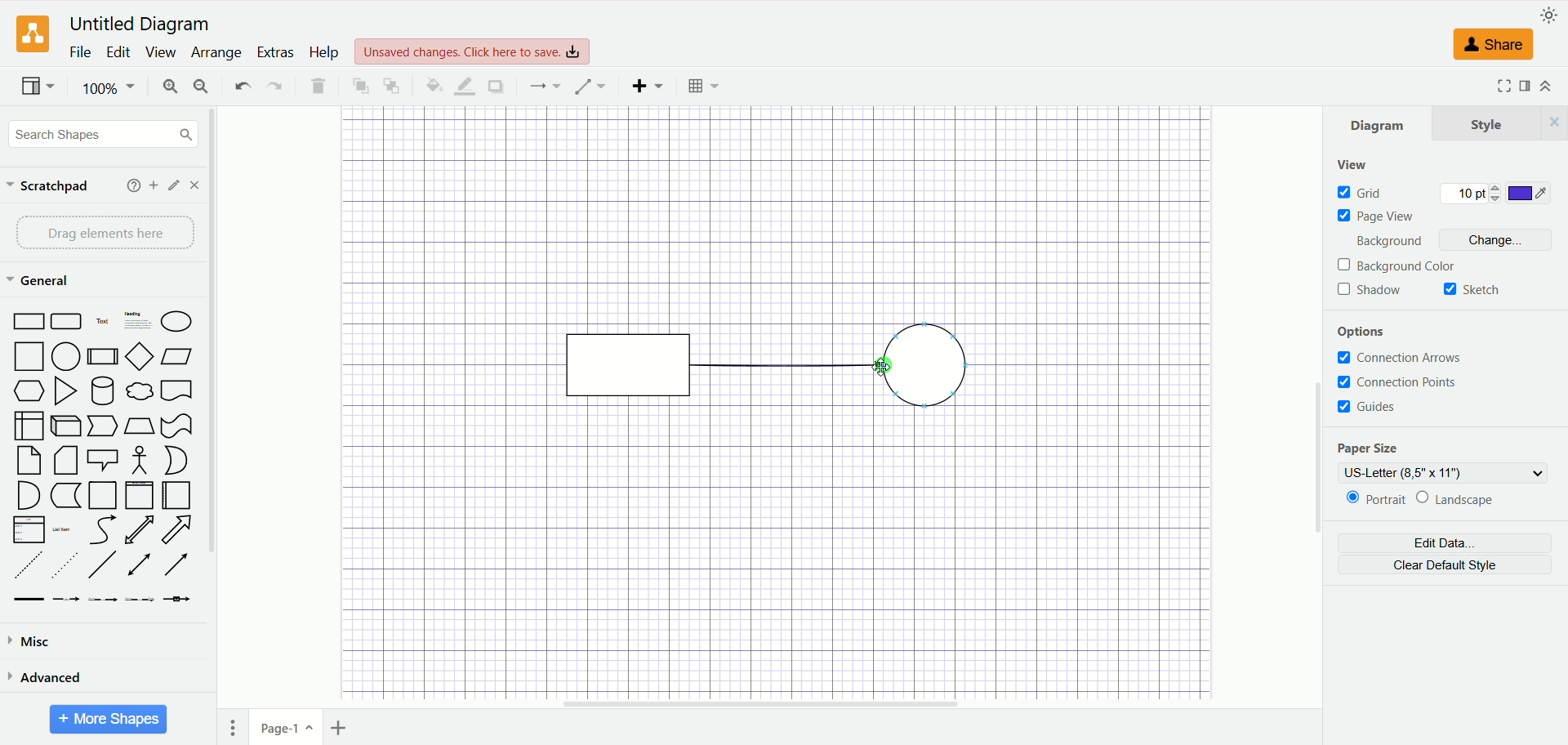  I want to click on fill color, so click(431, 85).